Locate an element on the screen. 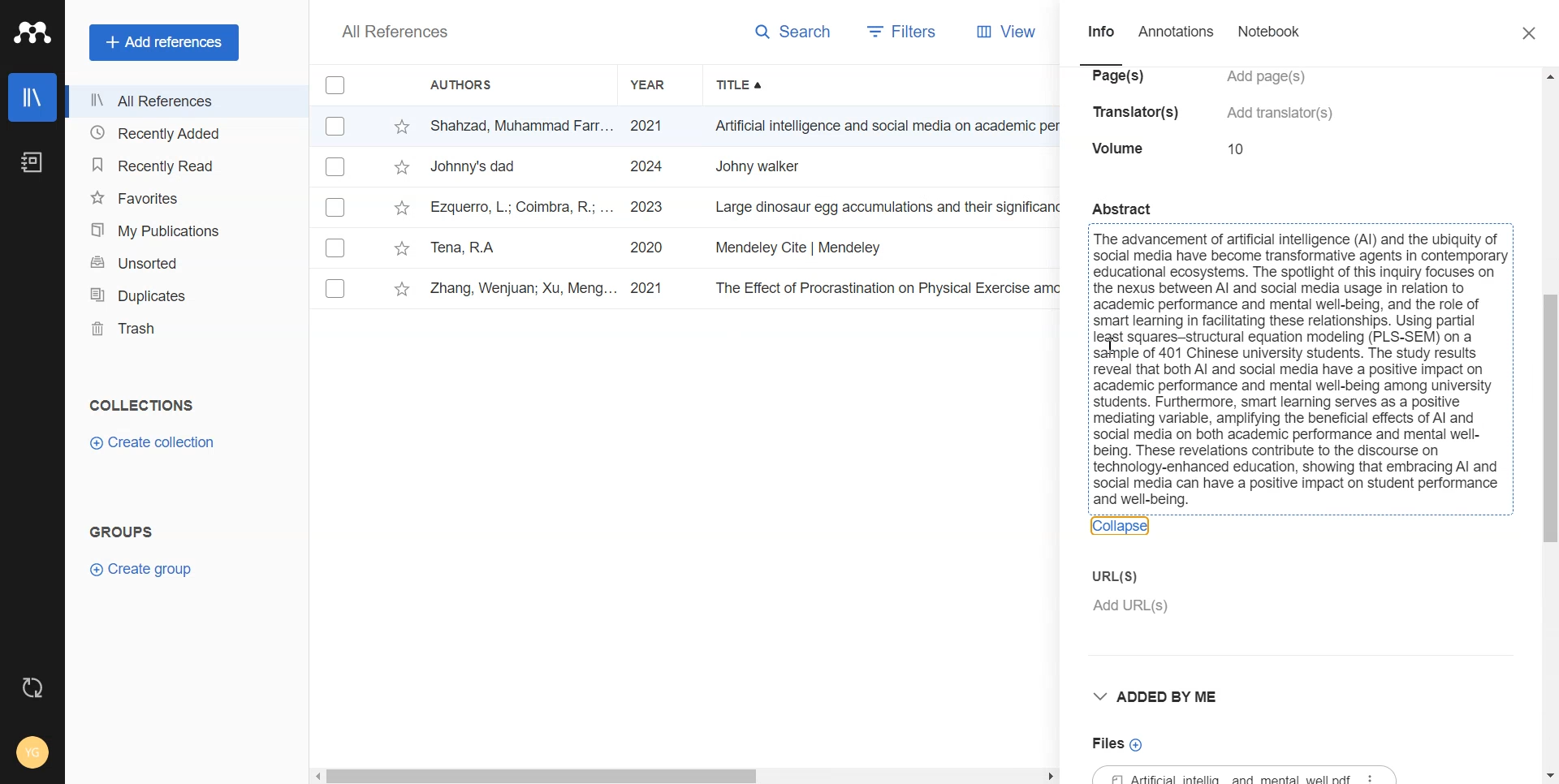 The width and height of the screenshot is (1559, 784). add URL is located at coordinates (1132, 606).